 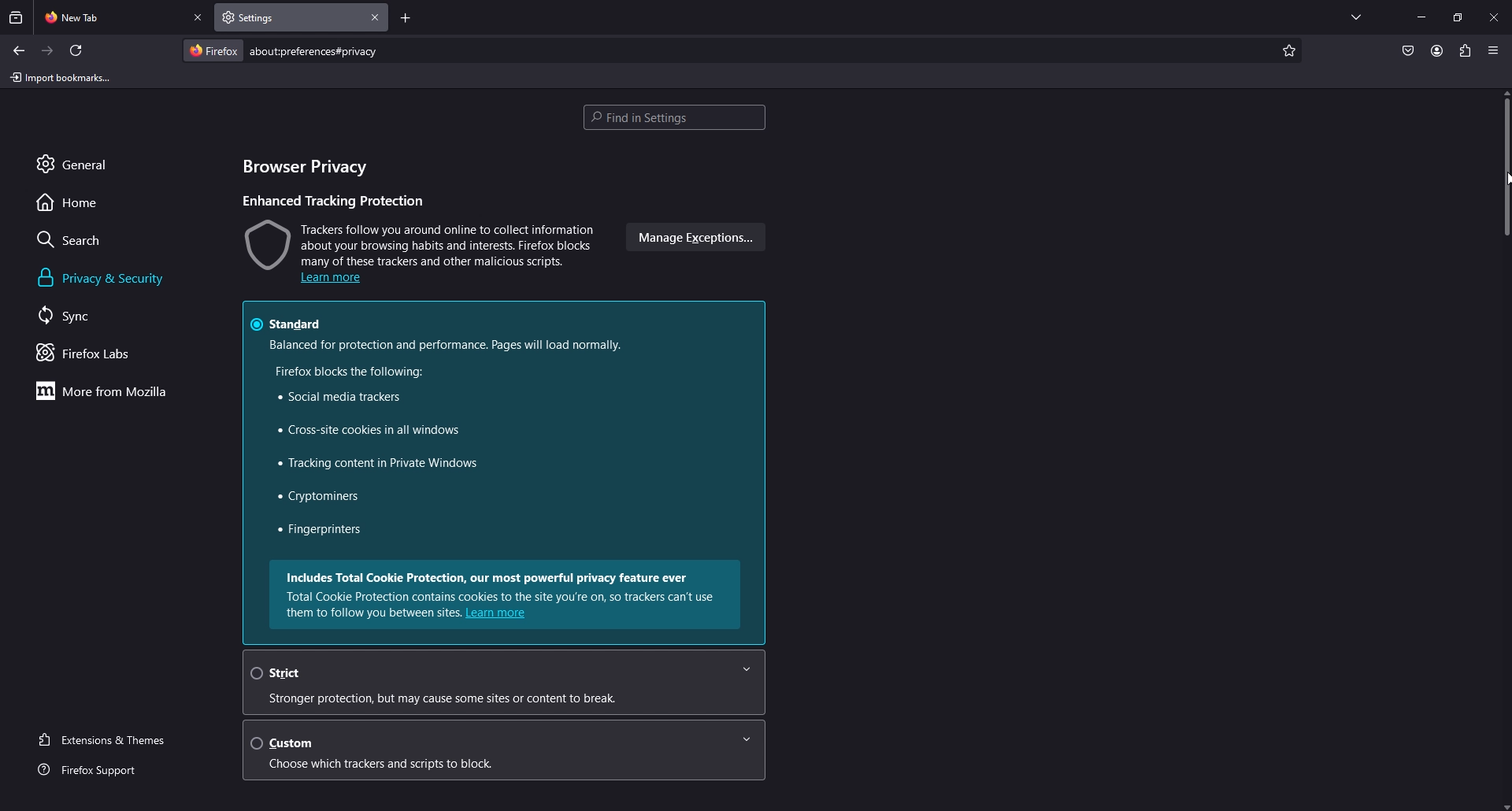 What do you see at coordinates (311, 169) in the screenshot?
I see `browser privacy` at bounding box center [311, 169].